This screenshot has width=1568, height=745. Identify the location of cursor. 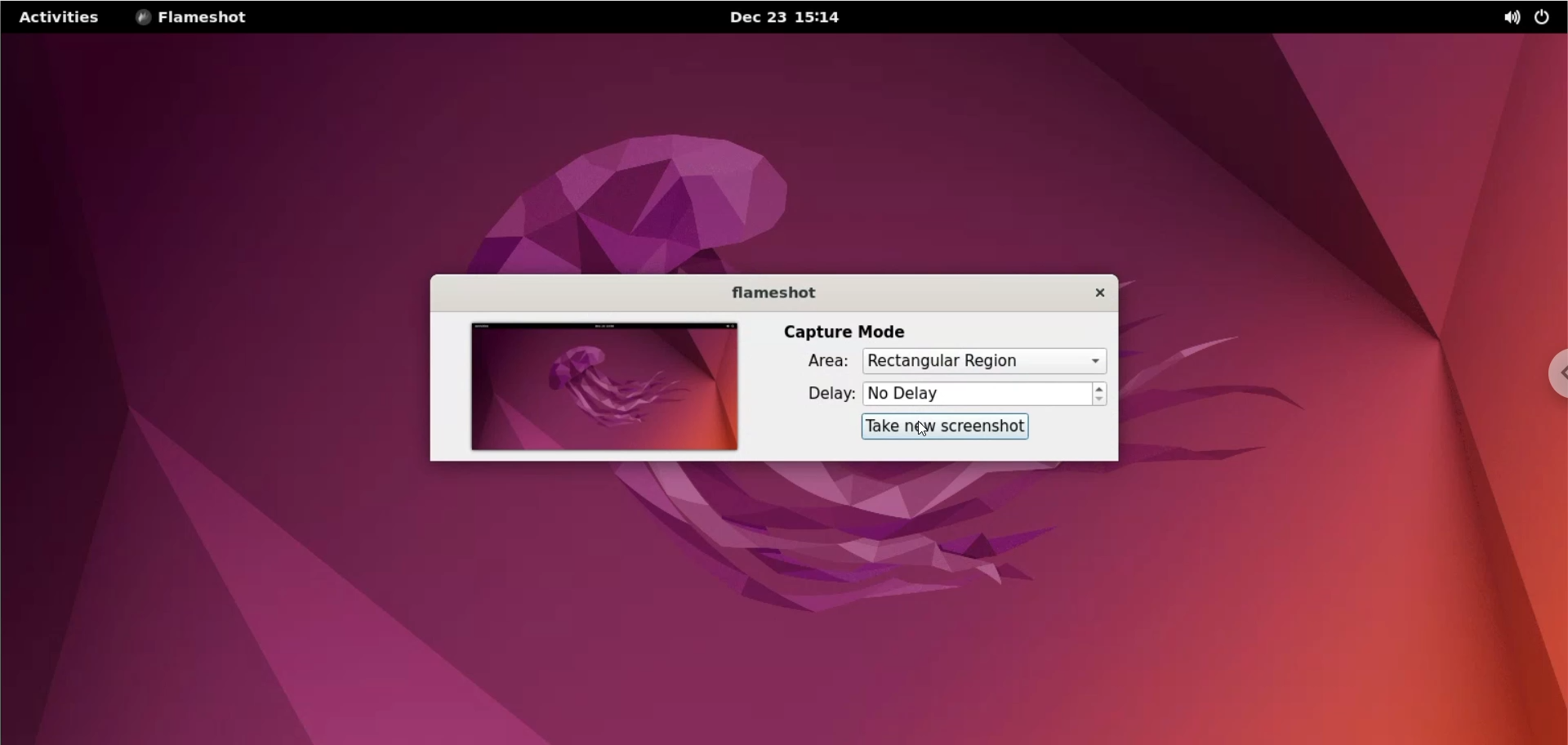
(924, 430).